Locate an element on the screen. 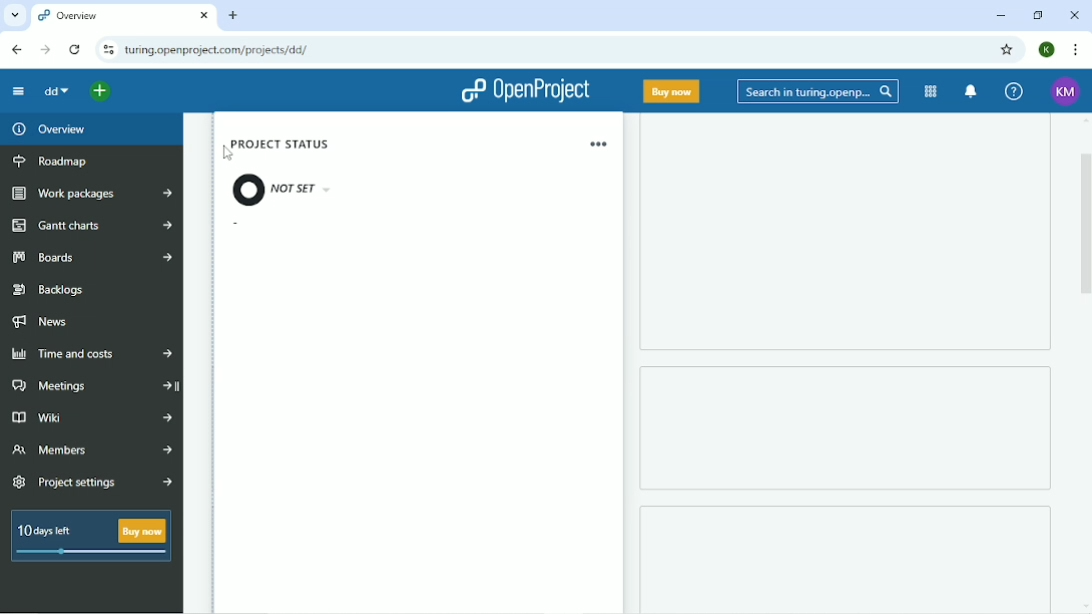  Members is located at coordinates (92, 450).